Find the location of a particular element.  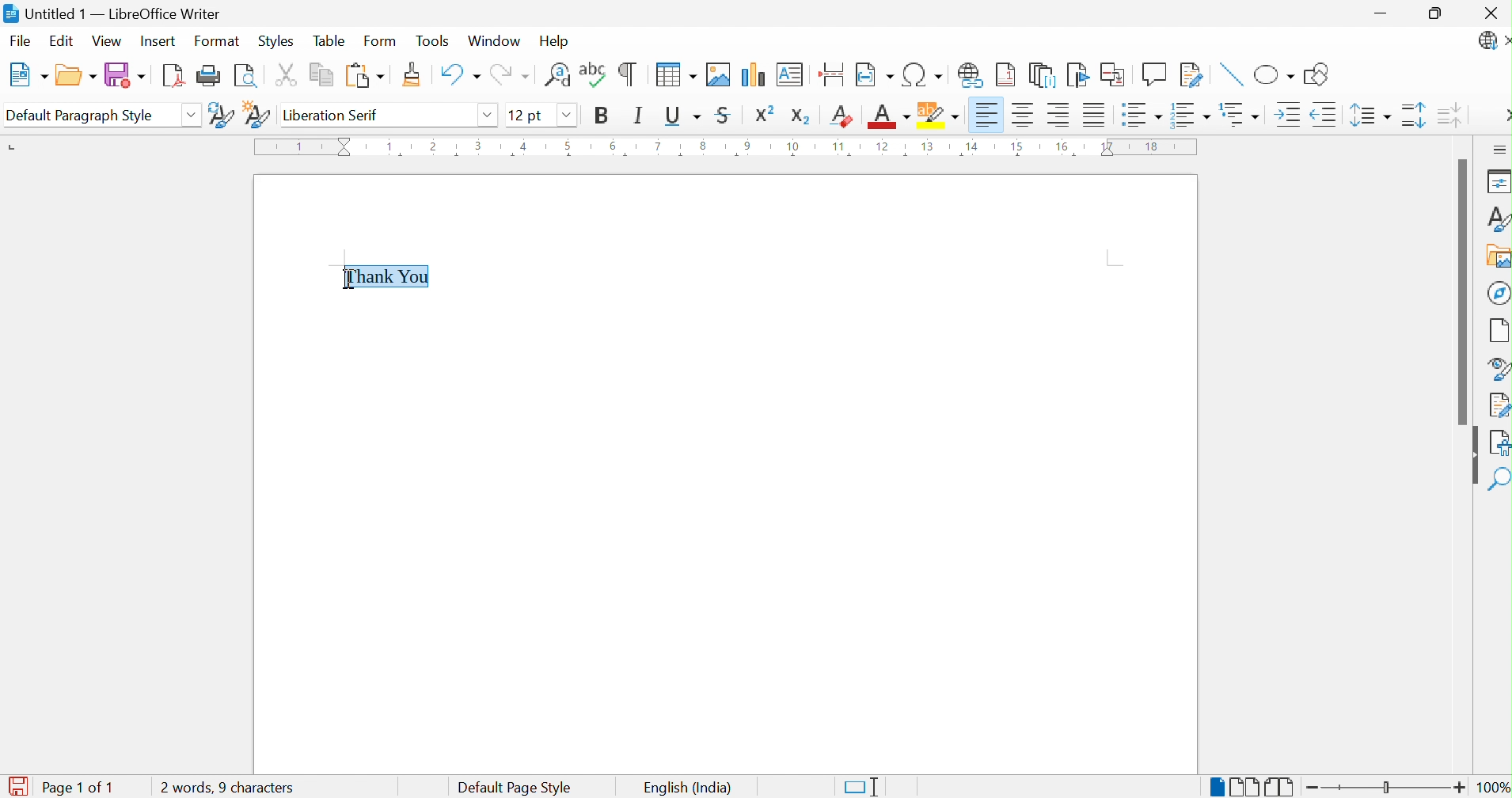

Table is located at coordinates (332, 41).